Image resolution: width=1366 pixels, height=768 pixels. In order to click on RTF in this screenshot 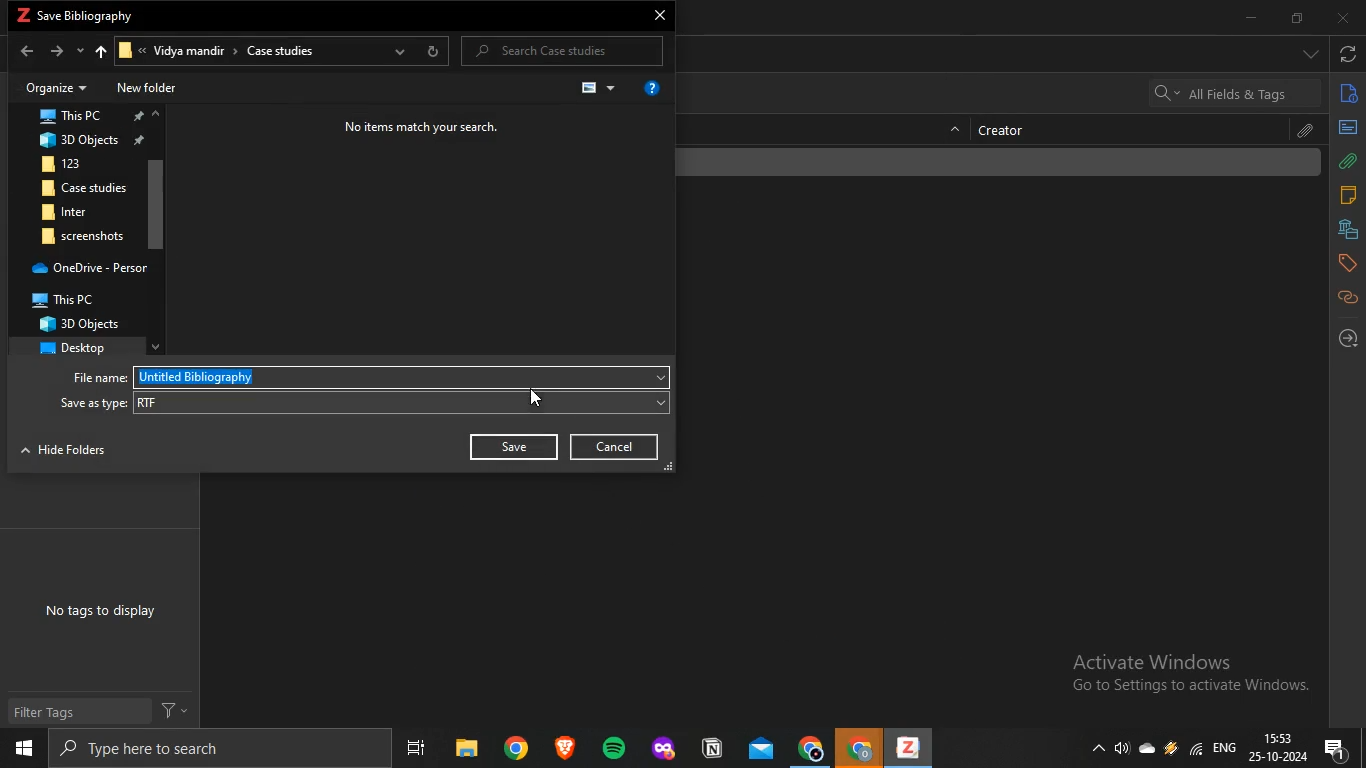, I will do `click(400, 402)`.